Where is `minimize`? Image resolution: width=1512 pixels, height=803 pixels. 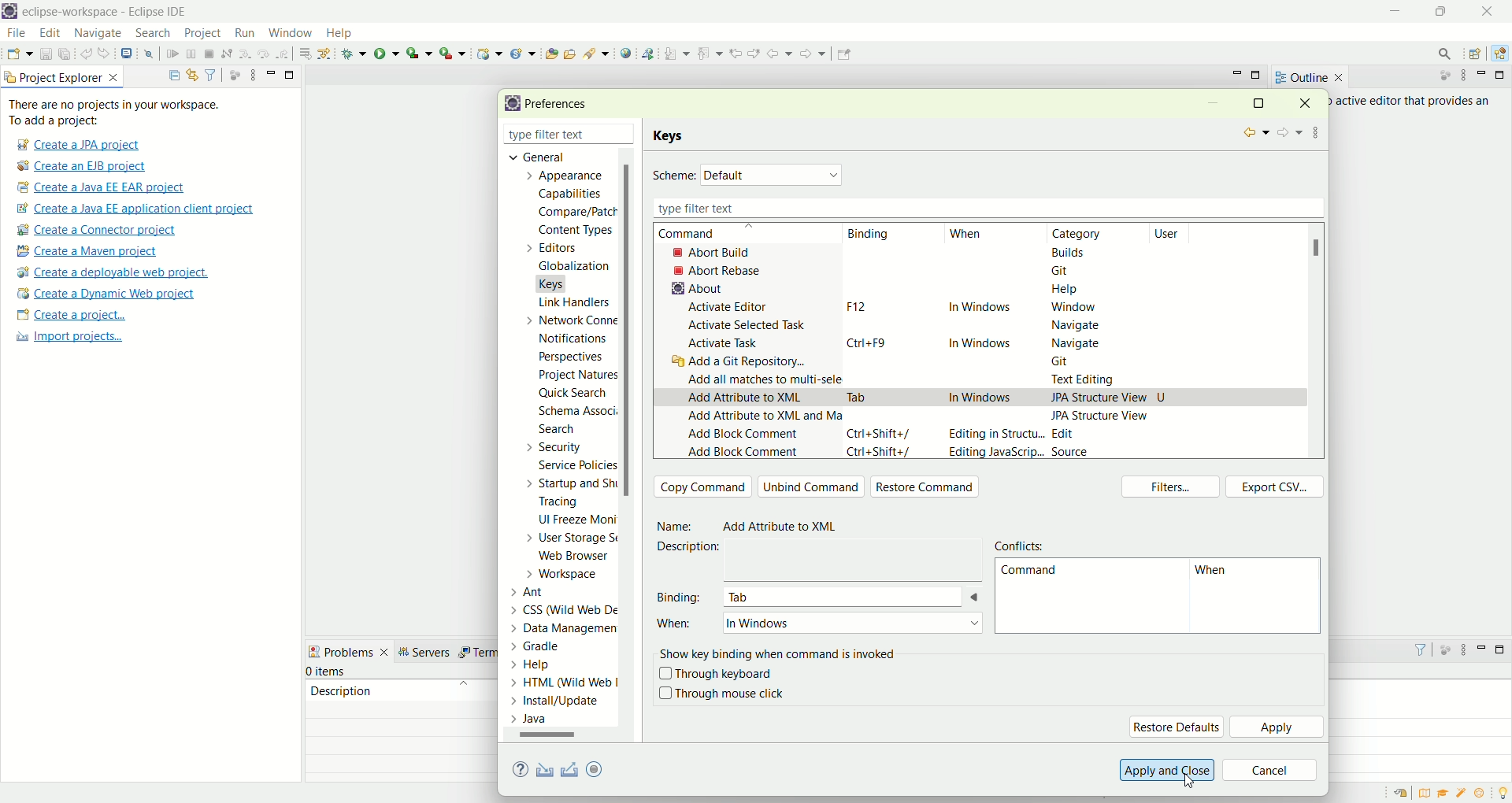
minimize is located at coordinates (1484, 75).